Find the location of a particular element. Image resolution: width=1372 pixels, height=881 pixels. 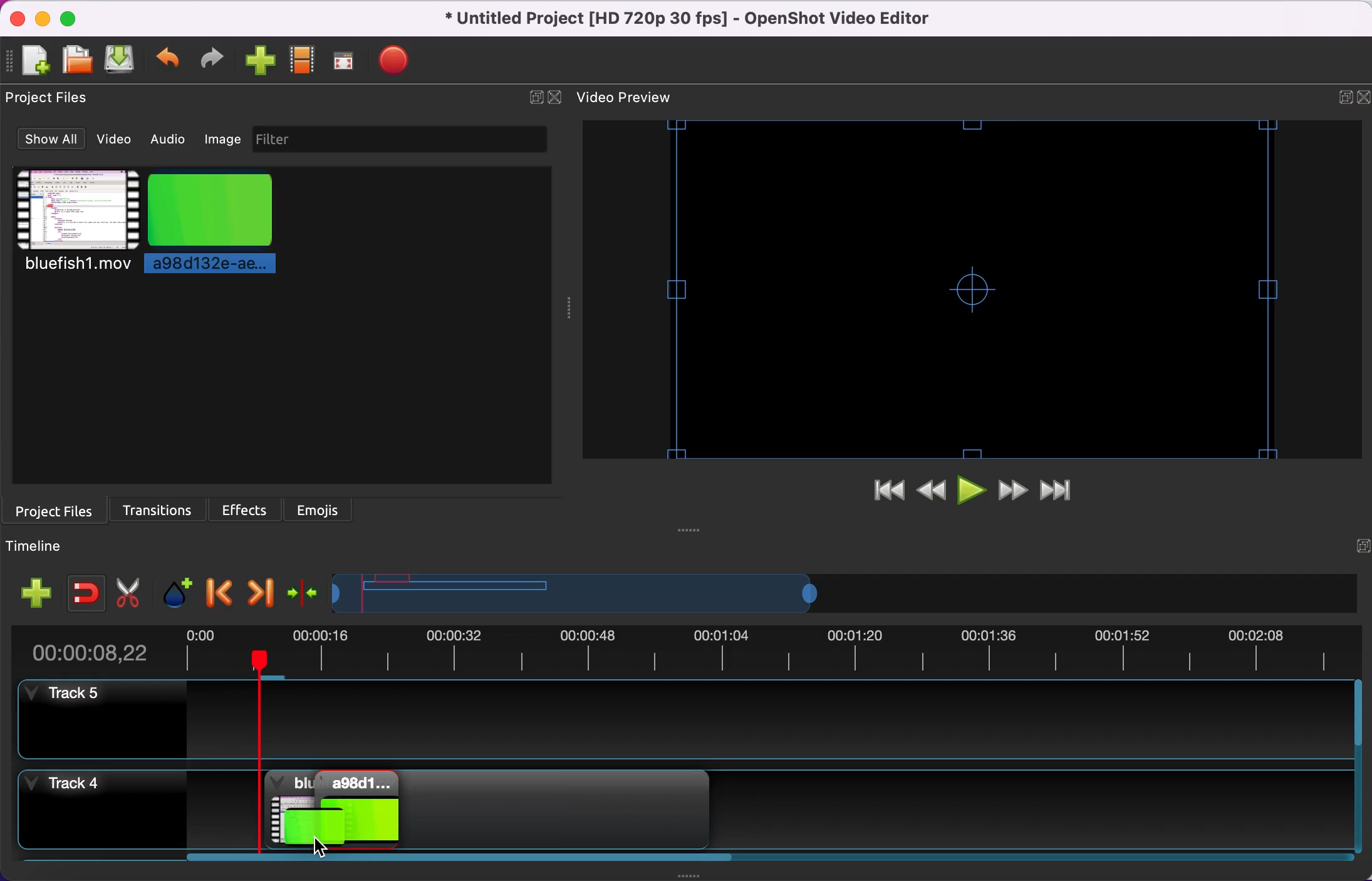

expand/hide is located at coordinates (1339, 93).